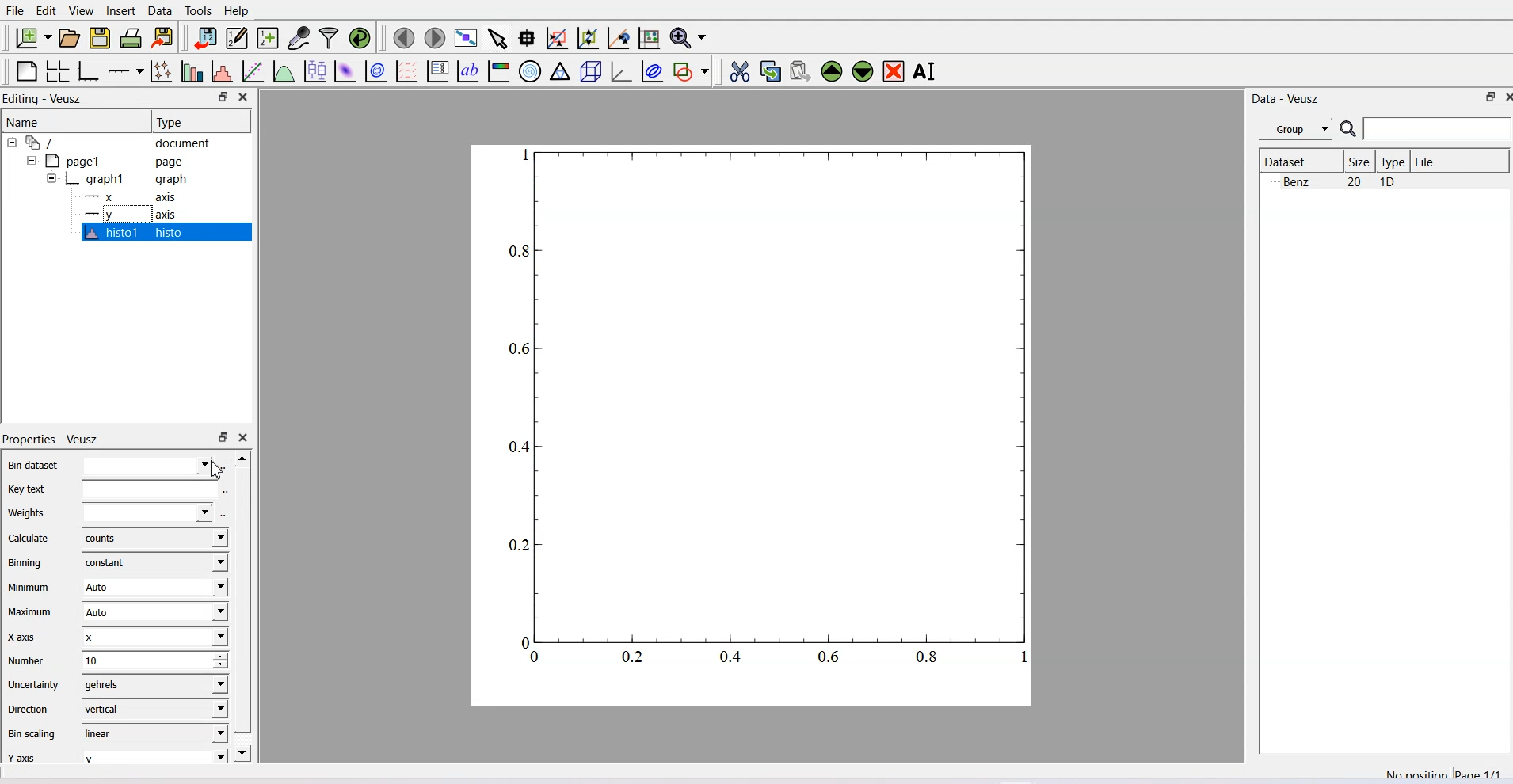 This screenshot has height=784, width=1513. I want to click on Paste widget from the clipboard, so click(801, 72).